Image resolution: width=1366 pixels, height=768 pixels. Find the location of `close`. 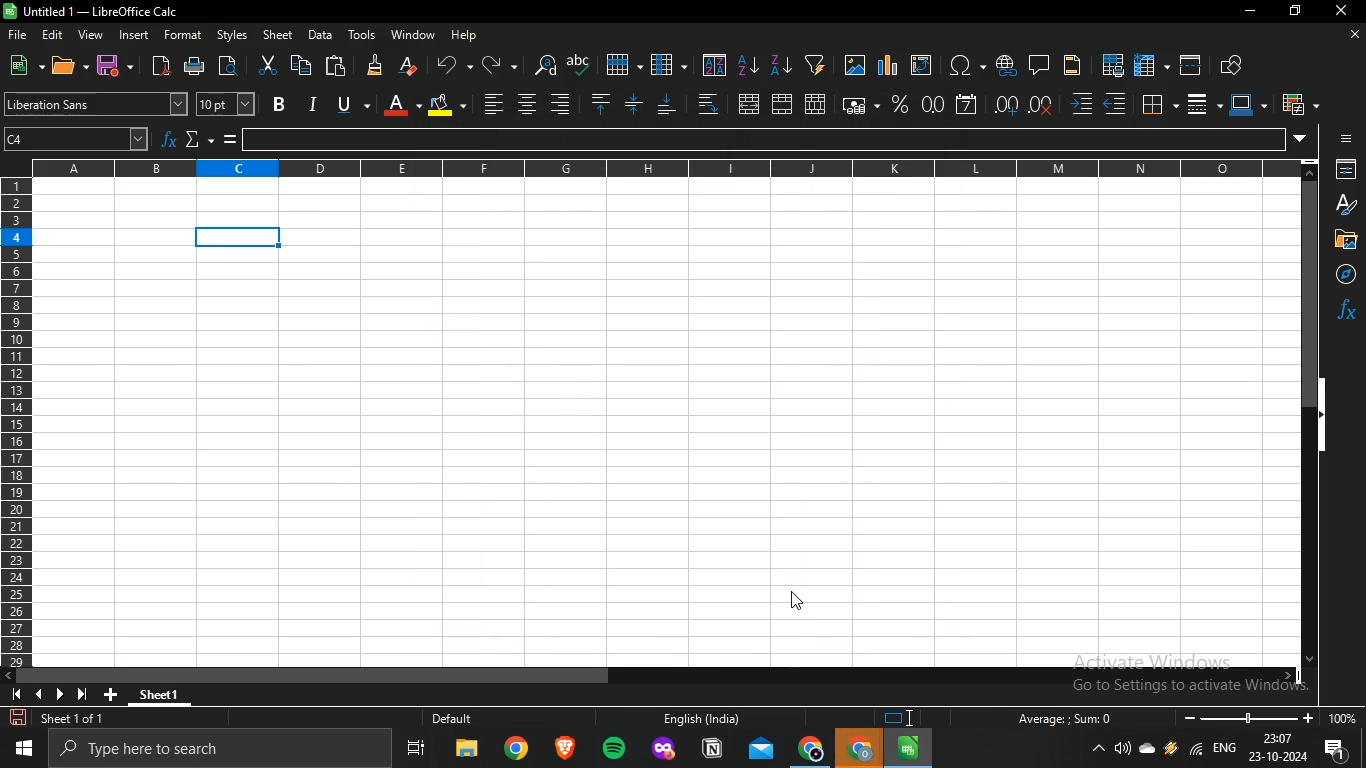

close is located at coordinates (1353, 36).